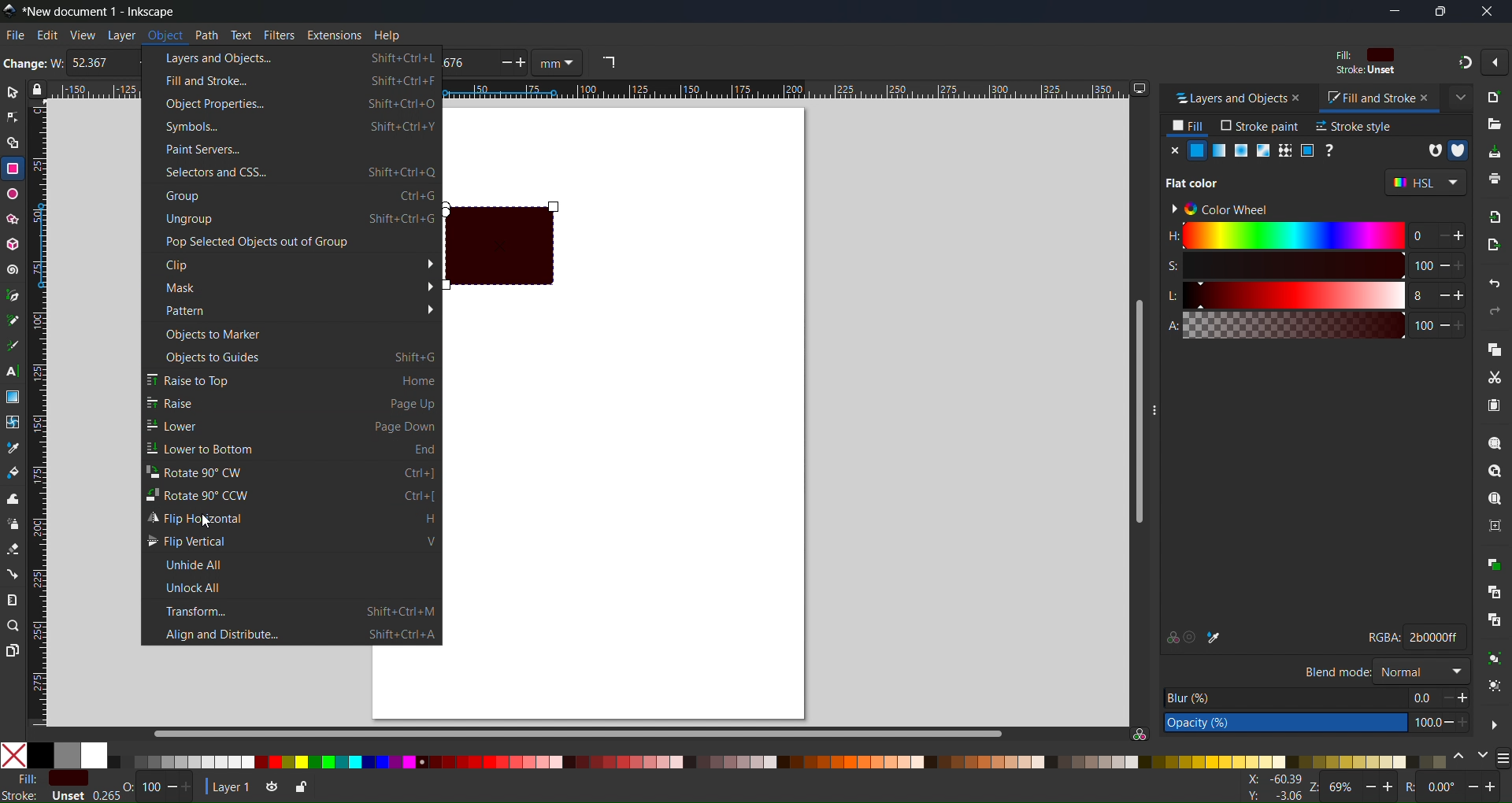 The image size is (1512, 803). Describe the element at coordinates (292, 356) in the screenshot. I see `Objects to Guides` at that location.